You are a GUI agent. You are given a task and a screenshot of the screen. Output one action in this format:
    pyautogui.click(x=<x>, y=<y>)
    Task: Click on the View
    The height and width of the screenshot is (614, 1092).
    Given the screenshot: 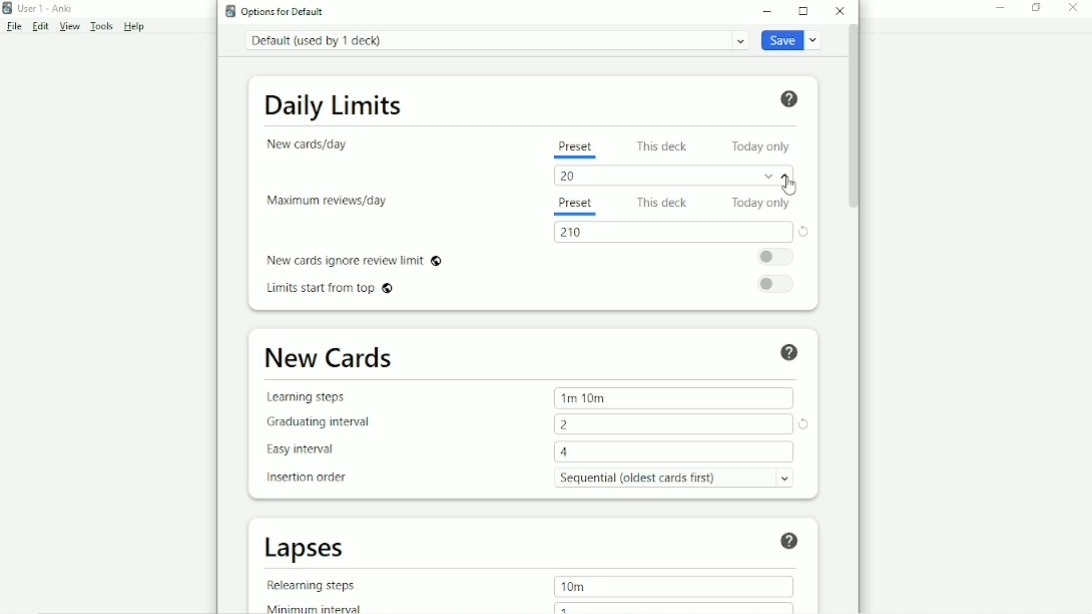 What is the action you would take?
    pyautogui.click(x=68, y=27)
    